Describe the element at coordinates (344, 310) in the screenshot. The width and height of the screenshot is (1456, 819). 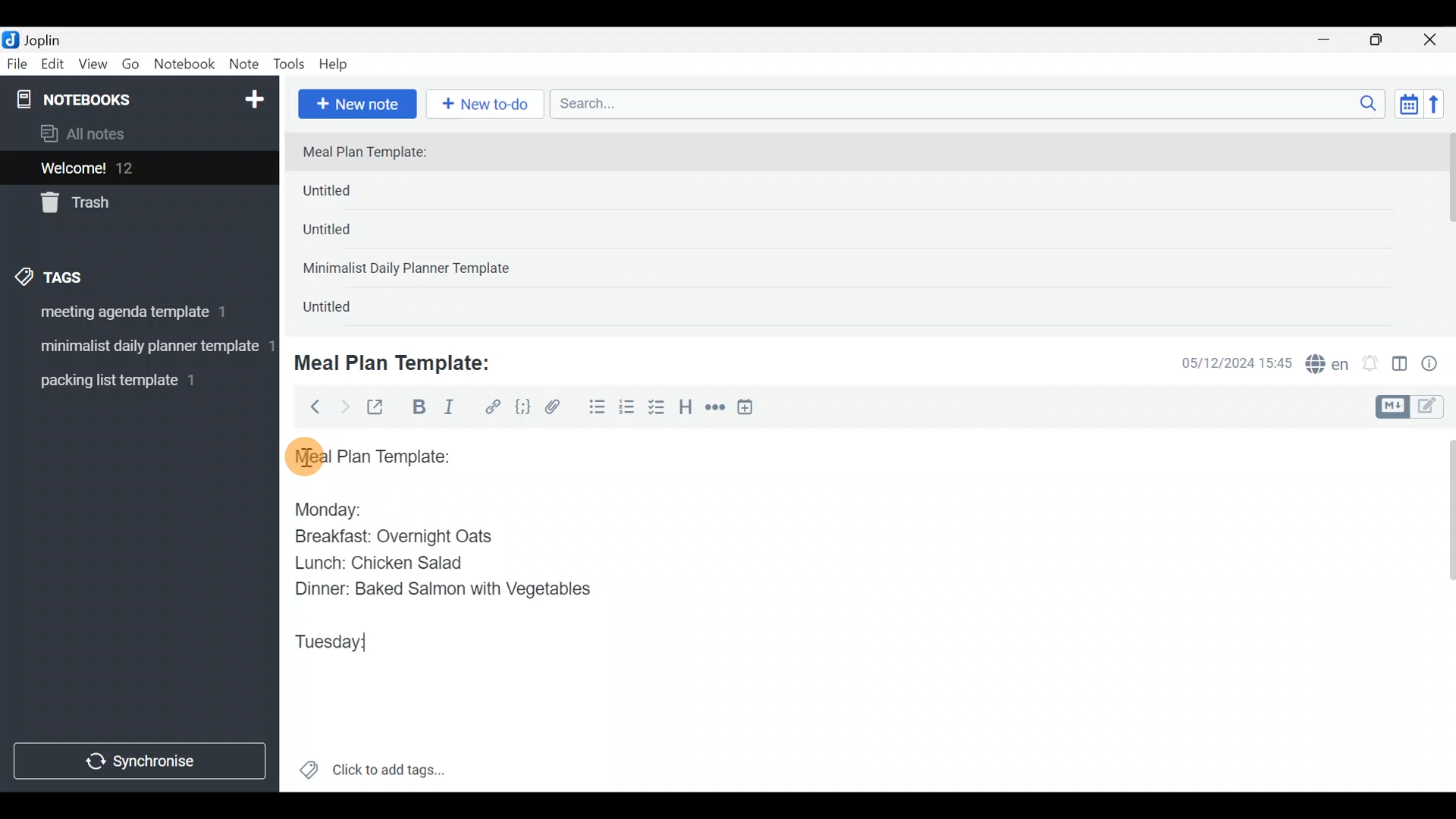
I see `Untitled` at that location.